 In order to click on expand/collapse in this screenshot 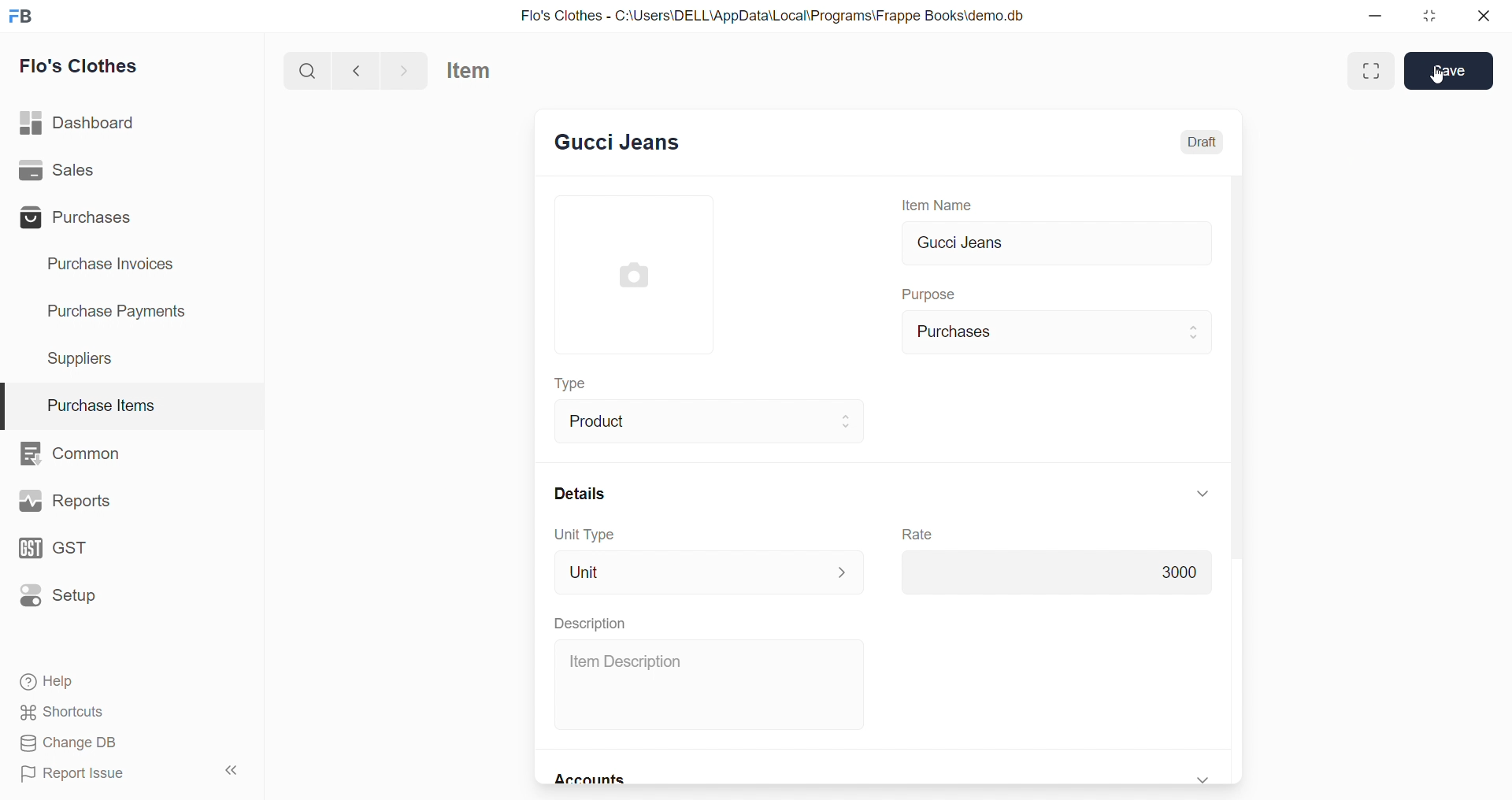, I will do `click(1203, 493)`.